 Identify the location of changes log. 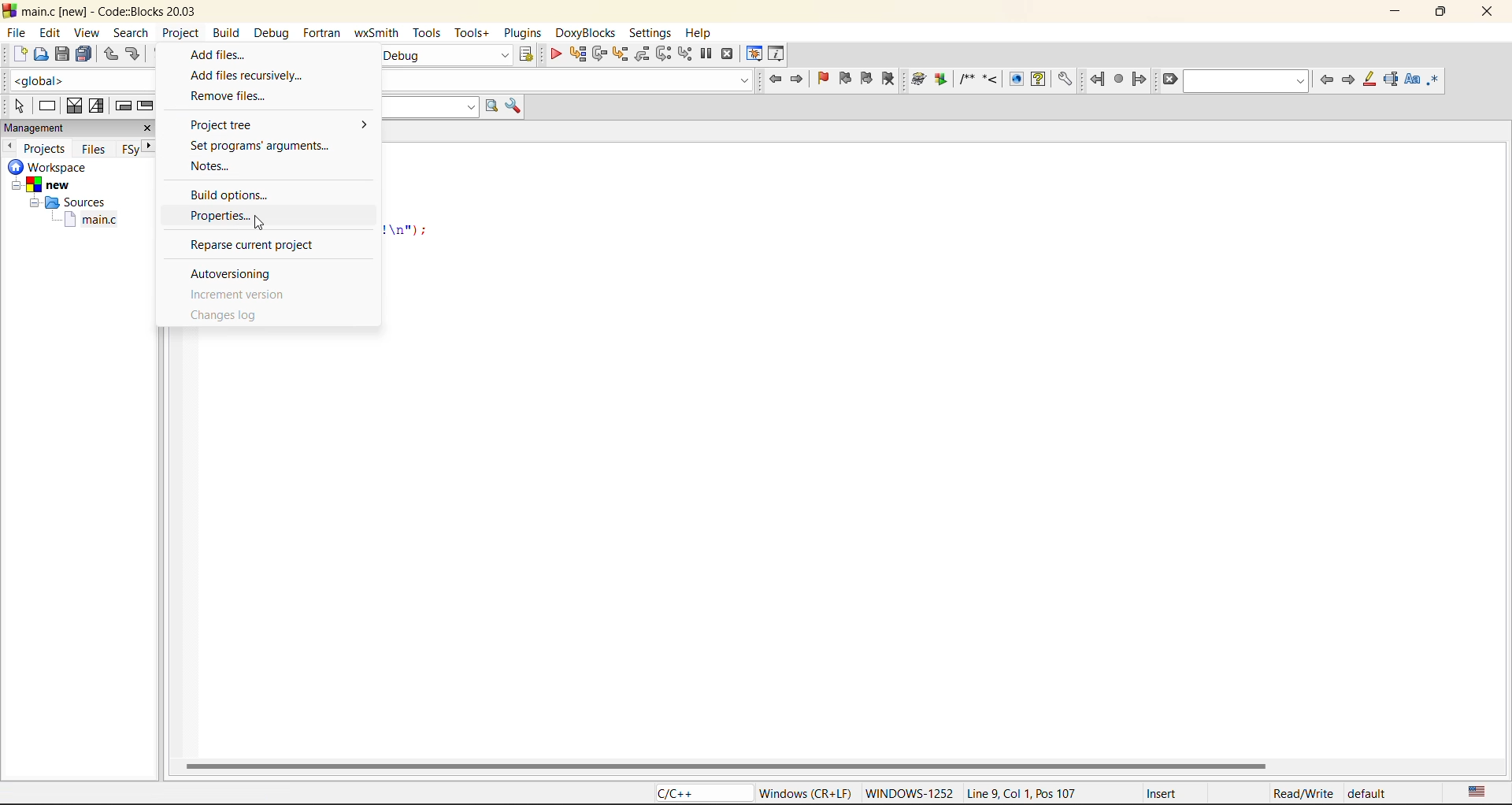
(230, 318).